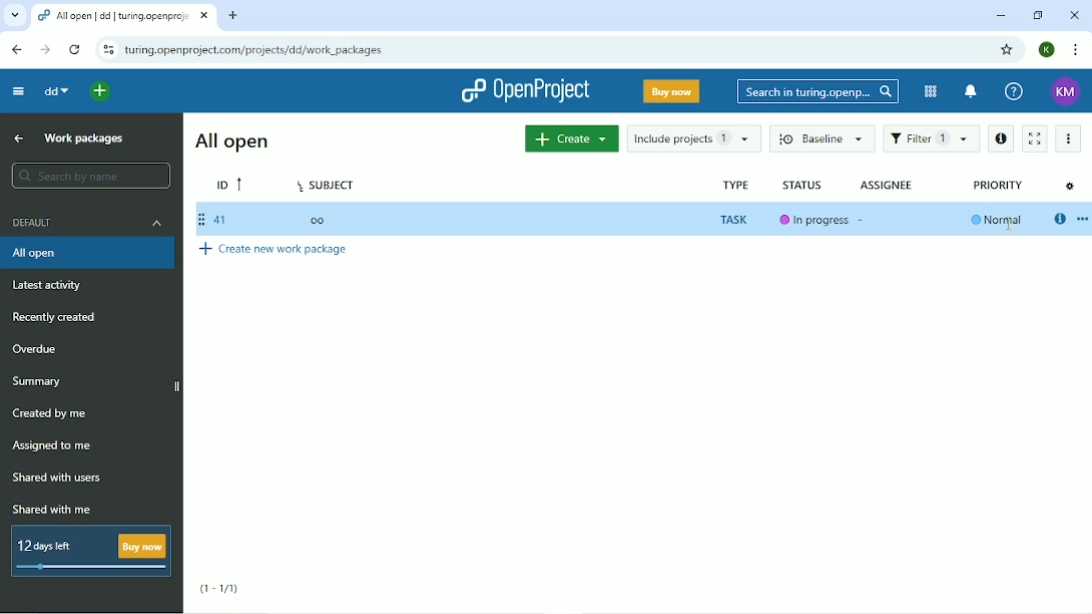  I want to click on Configure view, so click(1070, 185).